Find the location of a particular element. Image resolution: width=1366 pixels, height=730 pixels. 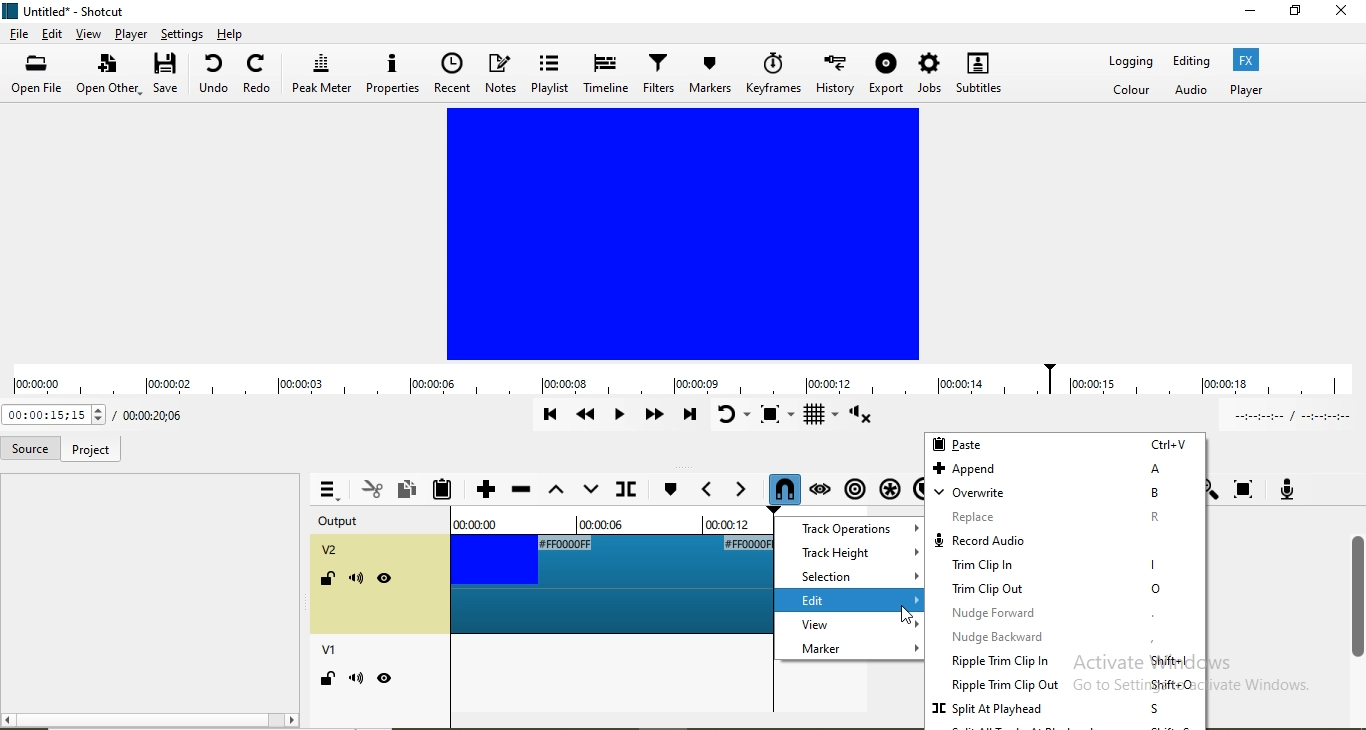

overwrite is located at coordinates (588, 490).